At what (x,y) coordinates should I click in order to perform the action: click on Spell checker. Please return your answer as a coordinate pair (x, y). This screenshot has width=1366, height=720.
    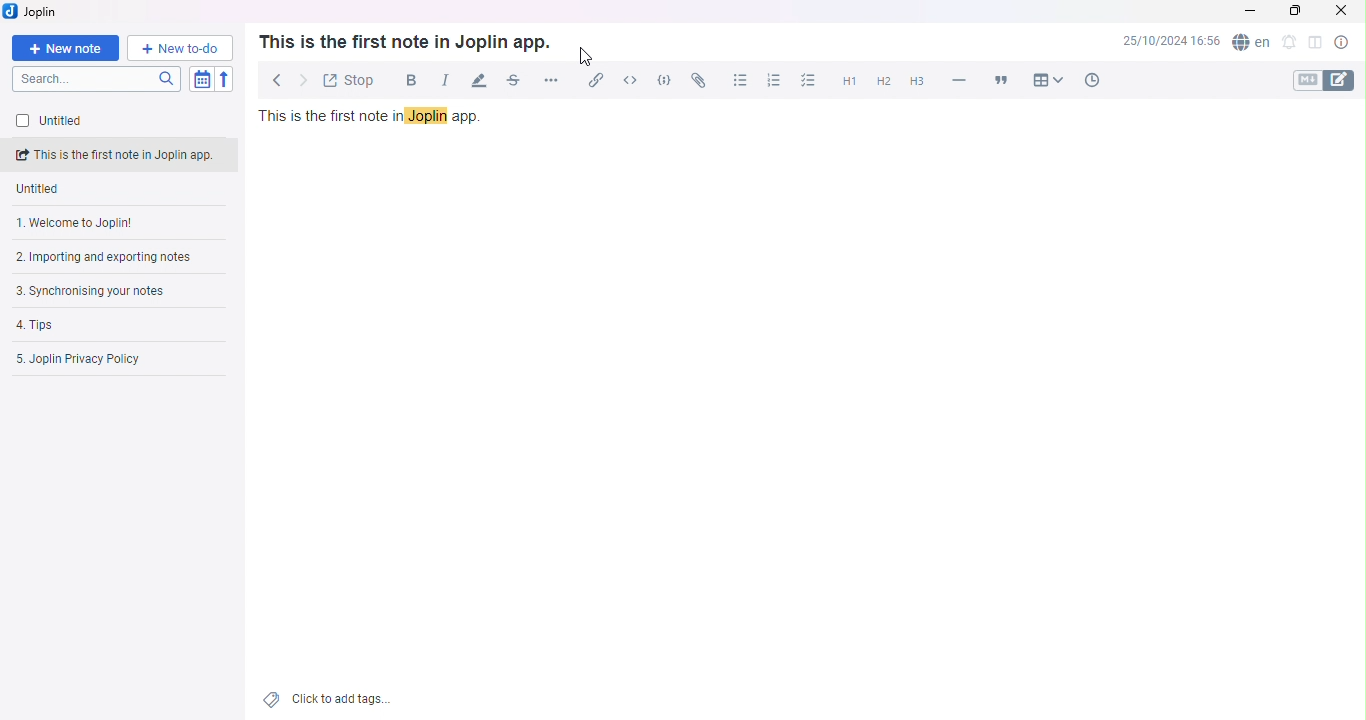
    Looking at the image, I should click on (1250, 45).